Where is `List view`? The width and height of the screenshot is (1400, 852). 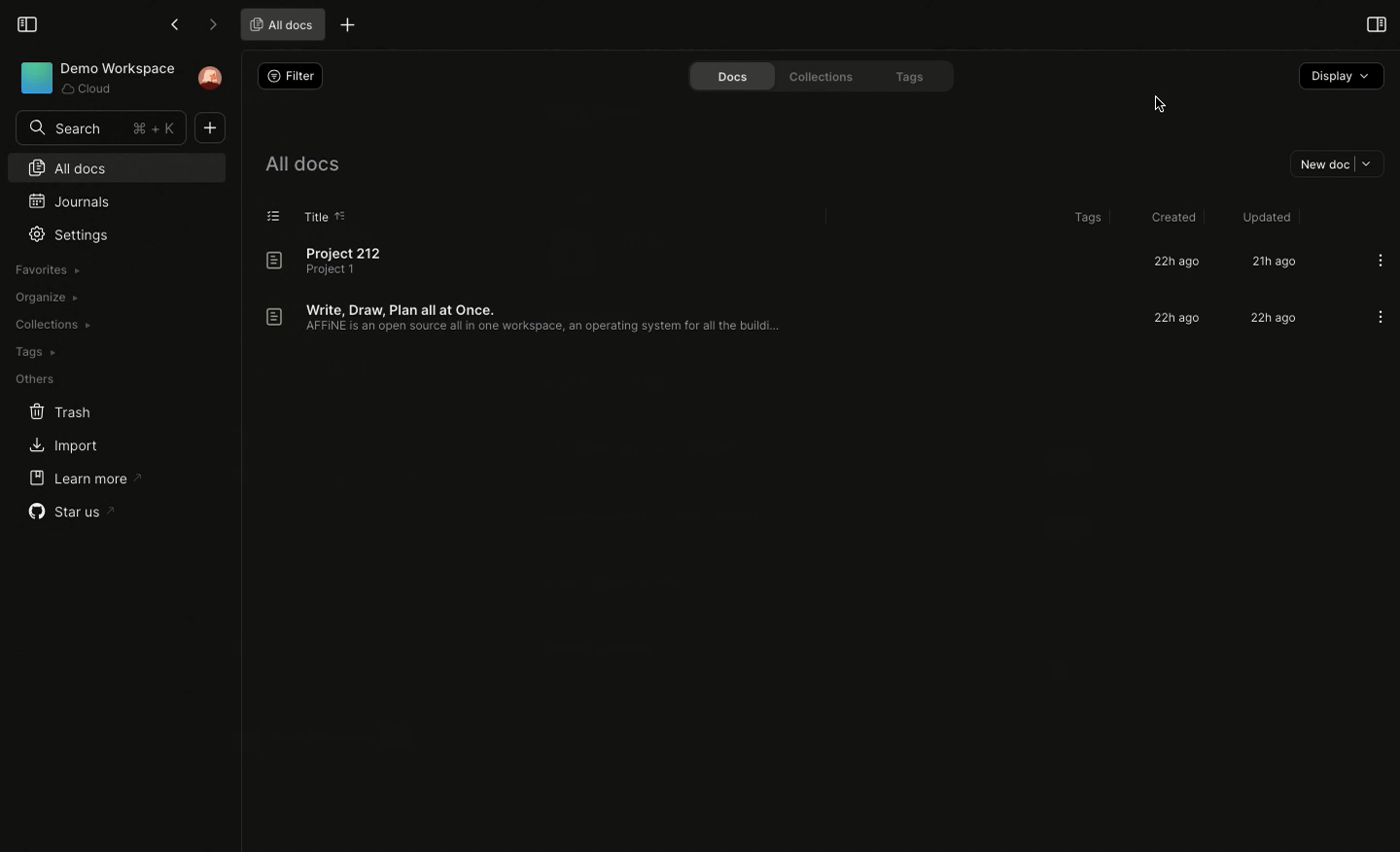 List view is located at coordinates (275, 215).